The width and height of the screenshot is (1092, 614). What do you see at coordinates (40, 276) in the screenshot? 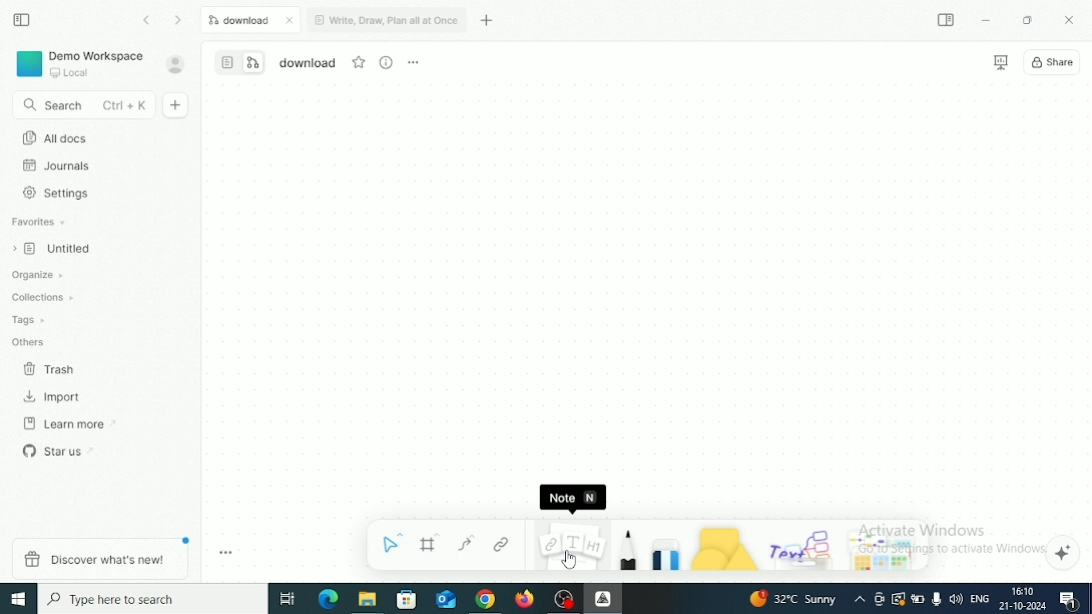
I see `Organize` at bounding box center [40, 276].